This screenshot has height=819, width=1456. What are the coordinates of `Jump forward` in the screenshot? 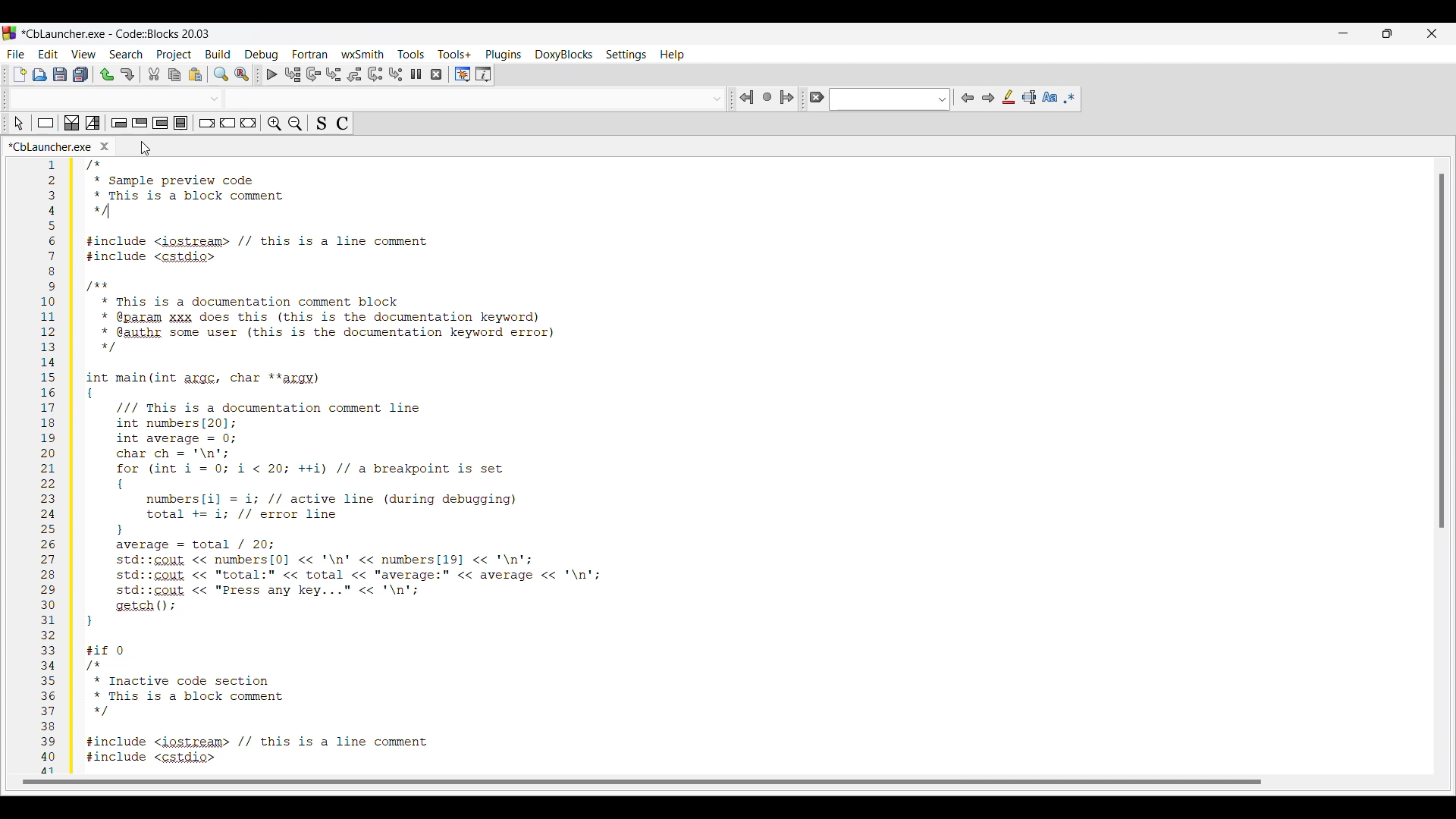 It's located at (787, 98).